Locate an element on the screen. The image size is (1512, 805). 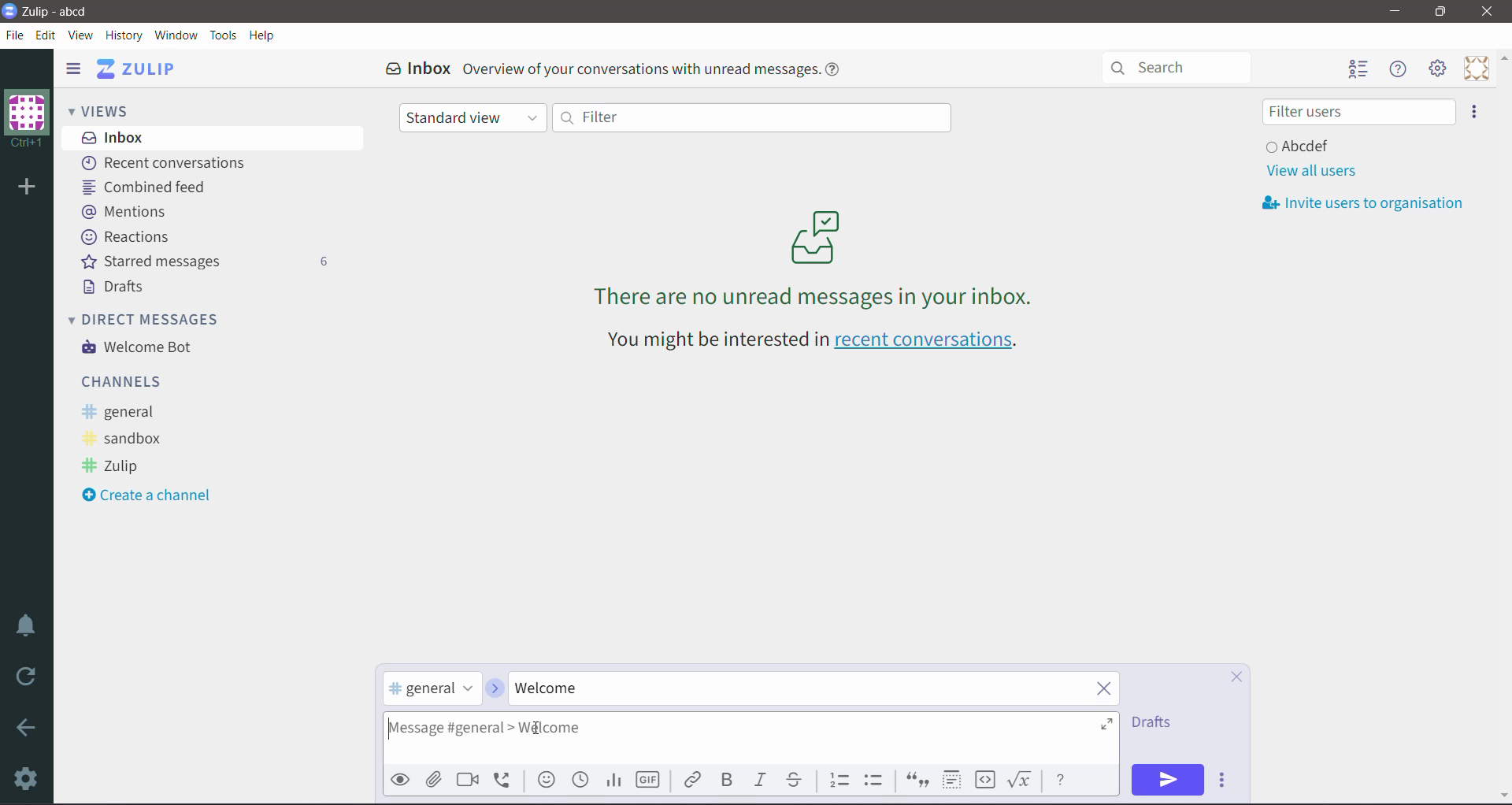
Cancel Compose is located at coordinates (1236, 678).